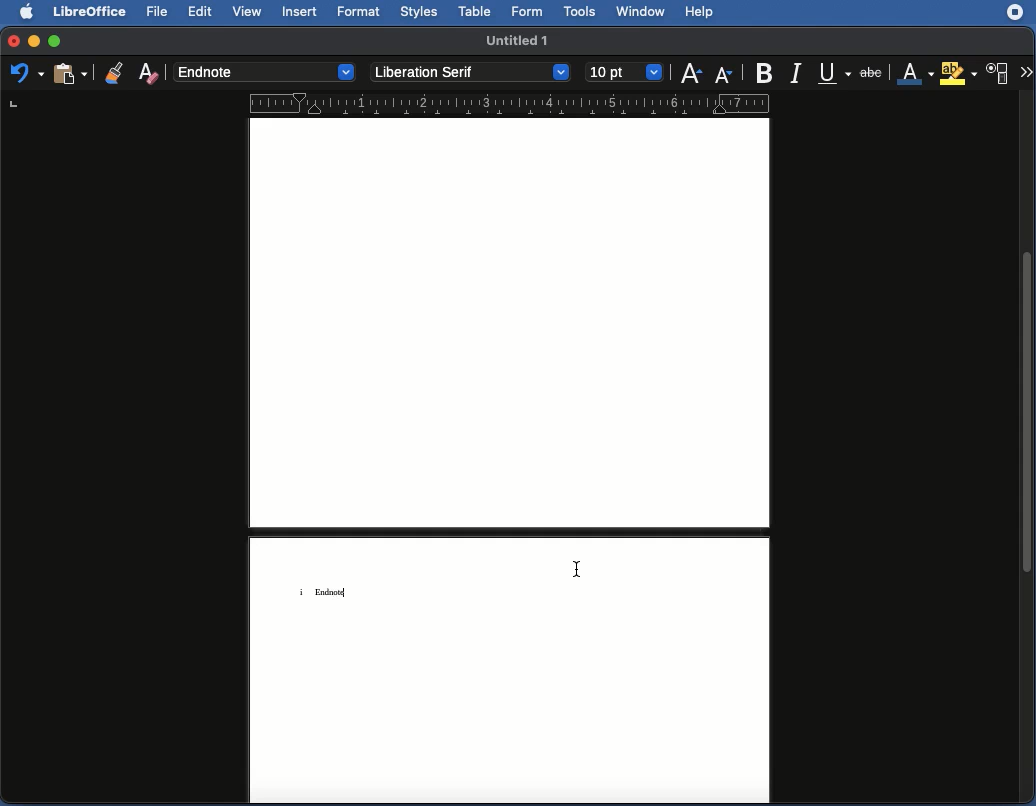  I want to click on Undo, so click(28, 73).